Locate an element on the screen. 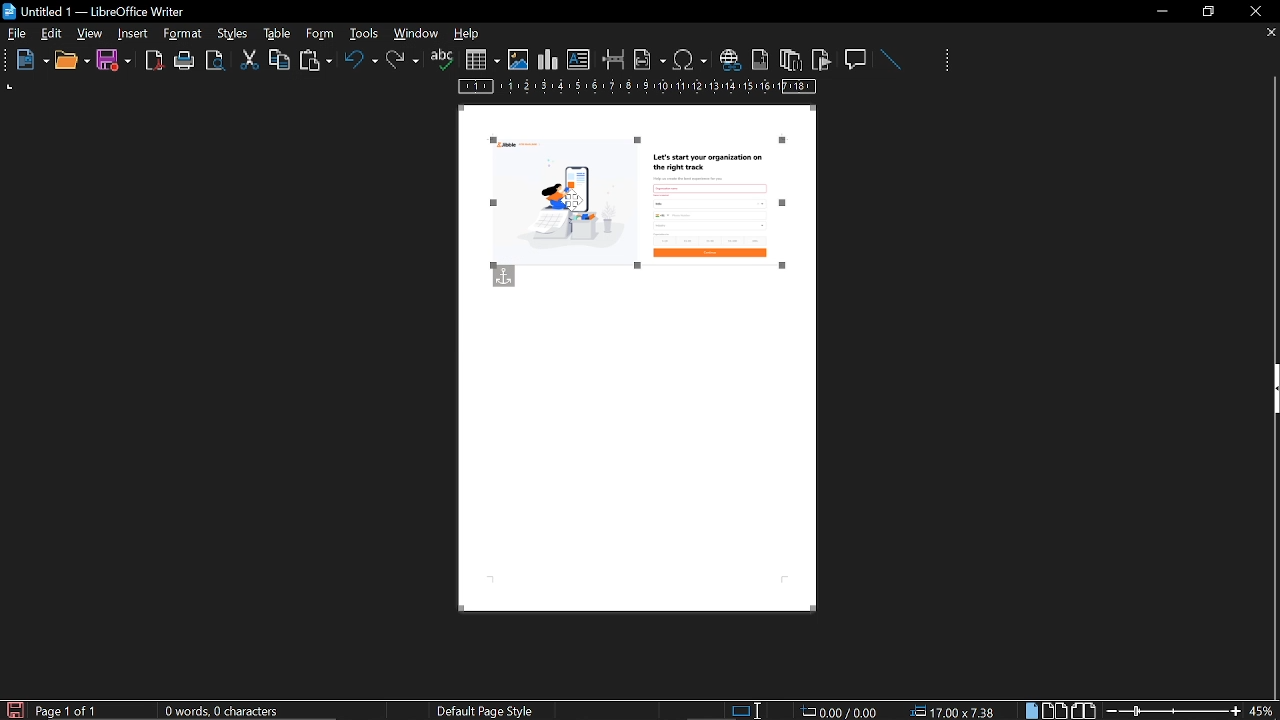 This screenshot has width=1280, height=720. redo is located at coordinates (403, 60).